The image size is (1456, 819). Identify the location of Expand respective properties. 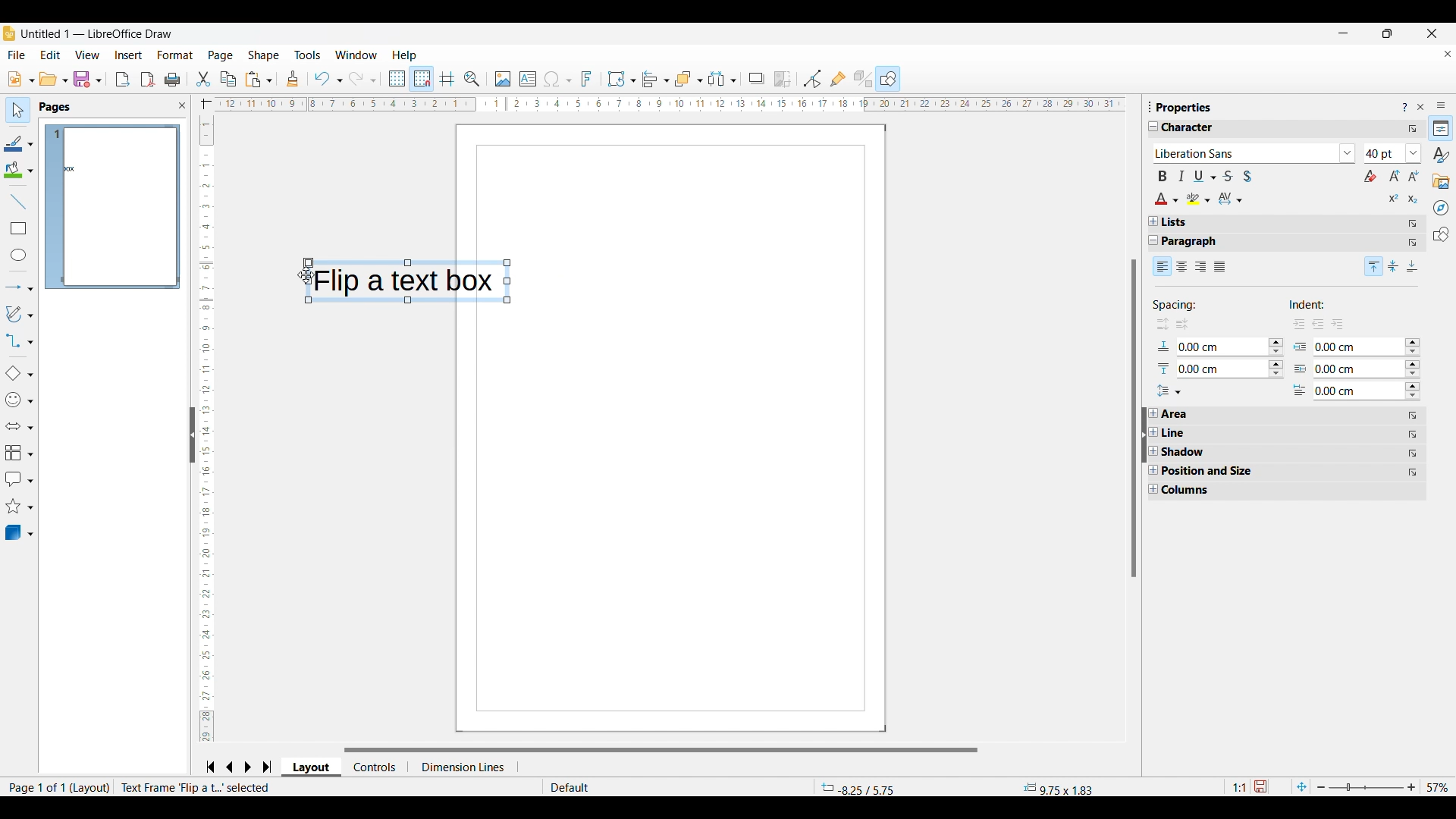
(1153, 451).